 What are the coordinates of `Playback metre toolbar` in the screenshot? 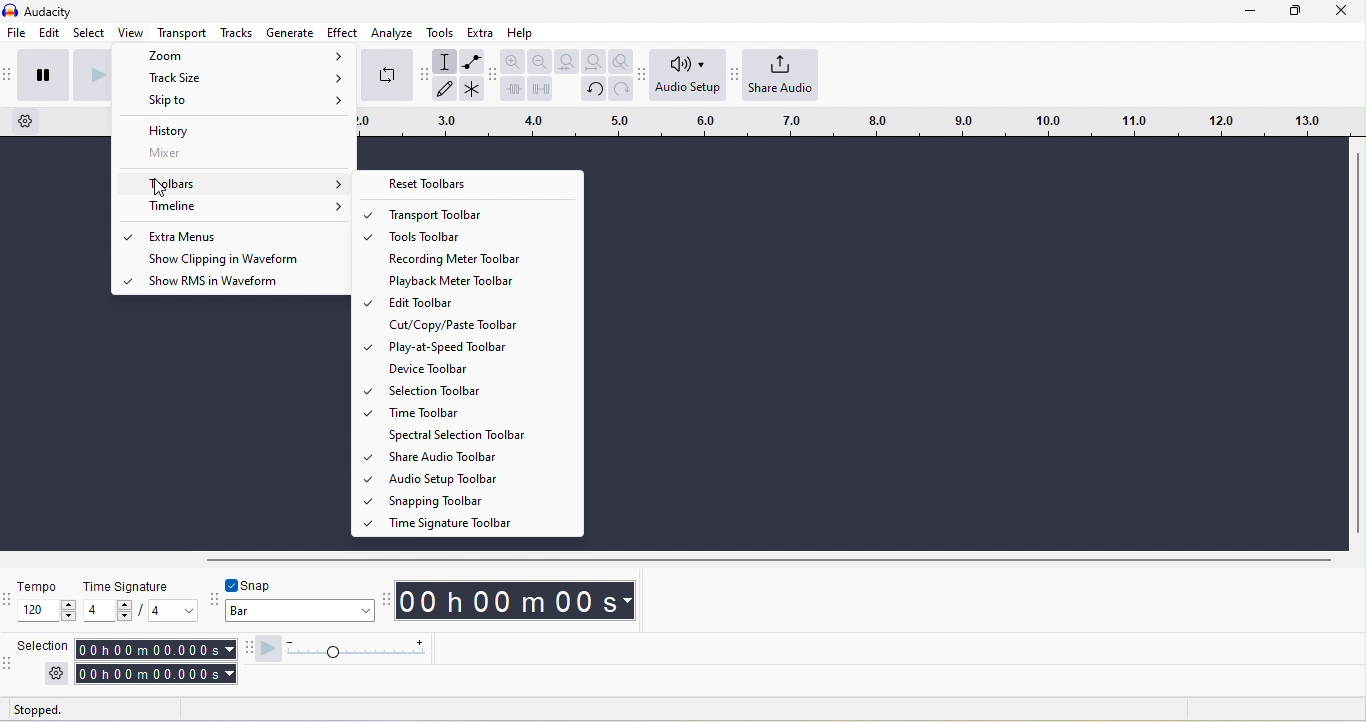 It's located at (479, 280).